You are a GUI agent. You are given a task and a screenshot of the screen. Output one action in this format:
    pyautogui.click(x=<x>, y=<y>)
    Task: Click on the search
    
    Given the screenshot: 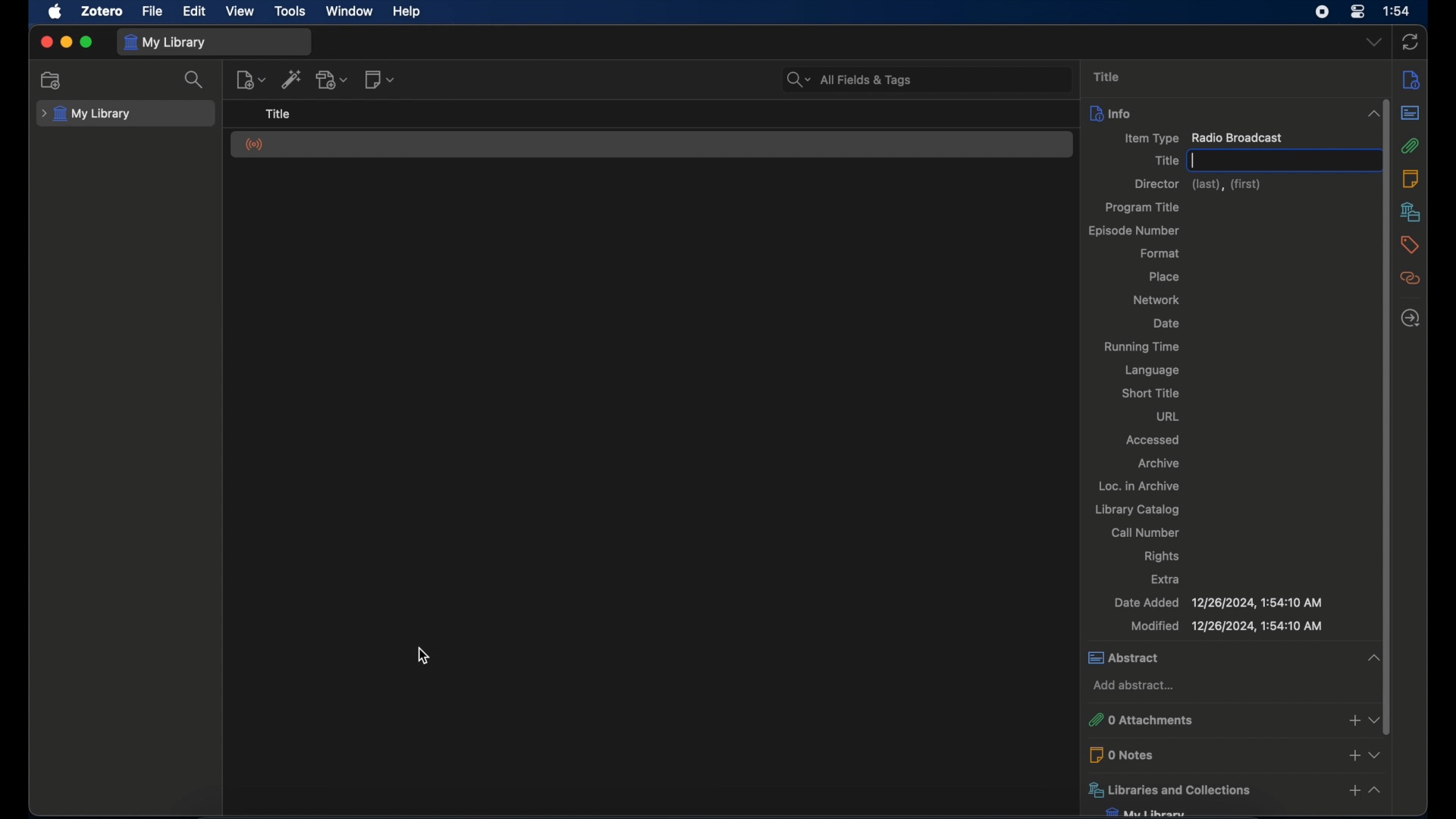 What is the action you would take?
    pyautogui.click(x=196, y=80)
    